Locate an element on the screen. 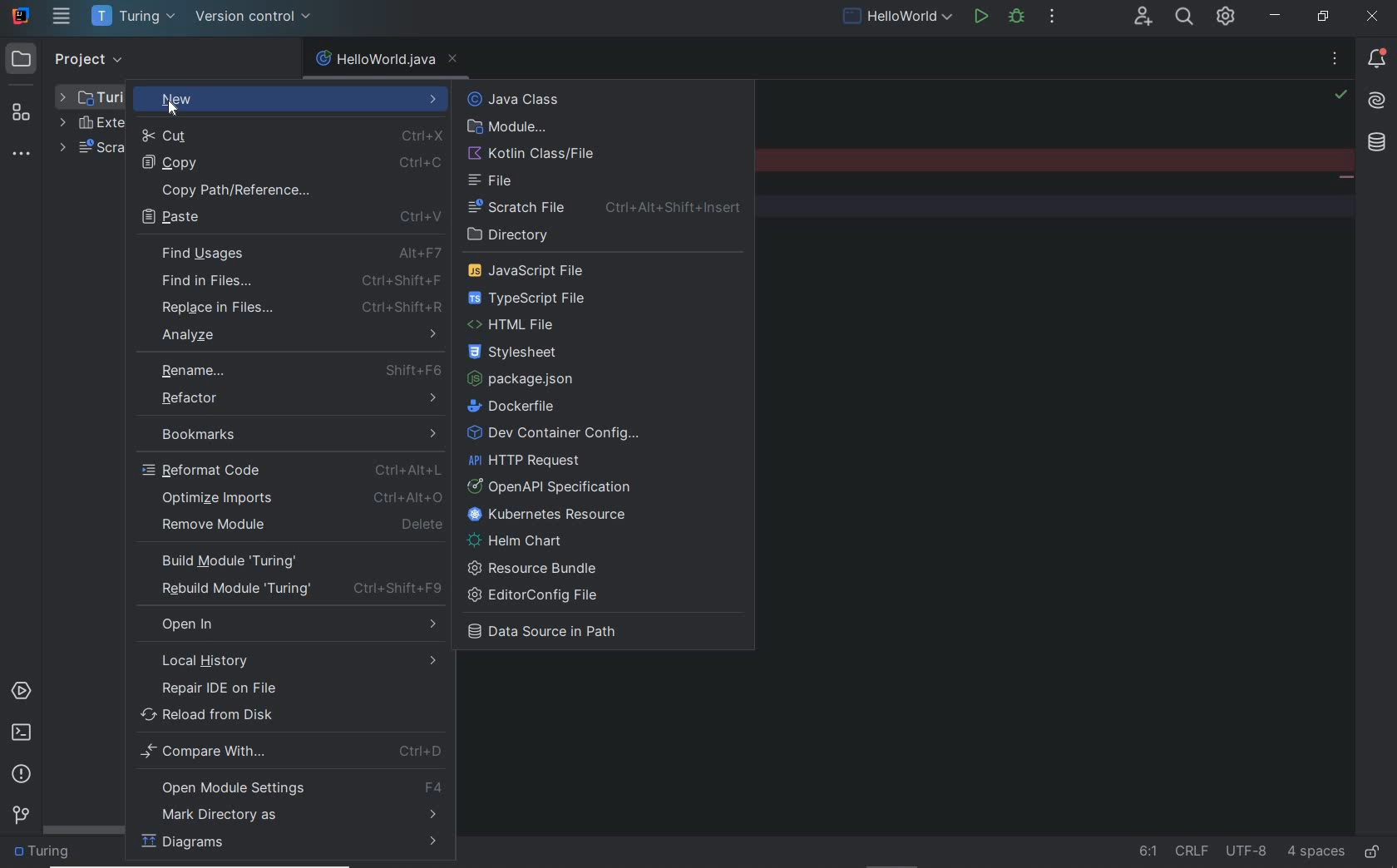  StyleSheet is located at coordinates (521, 354).